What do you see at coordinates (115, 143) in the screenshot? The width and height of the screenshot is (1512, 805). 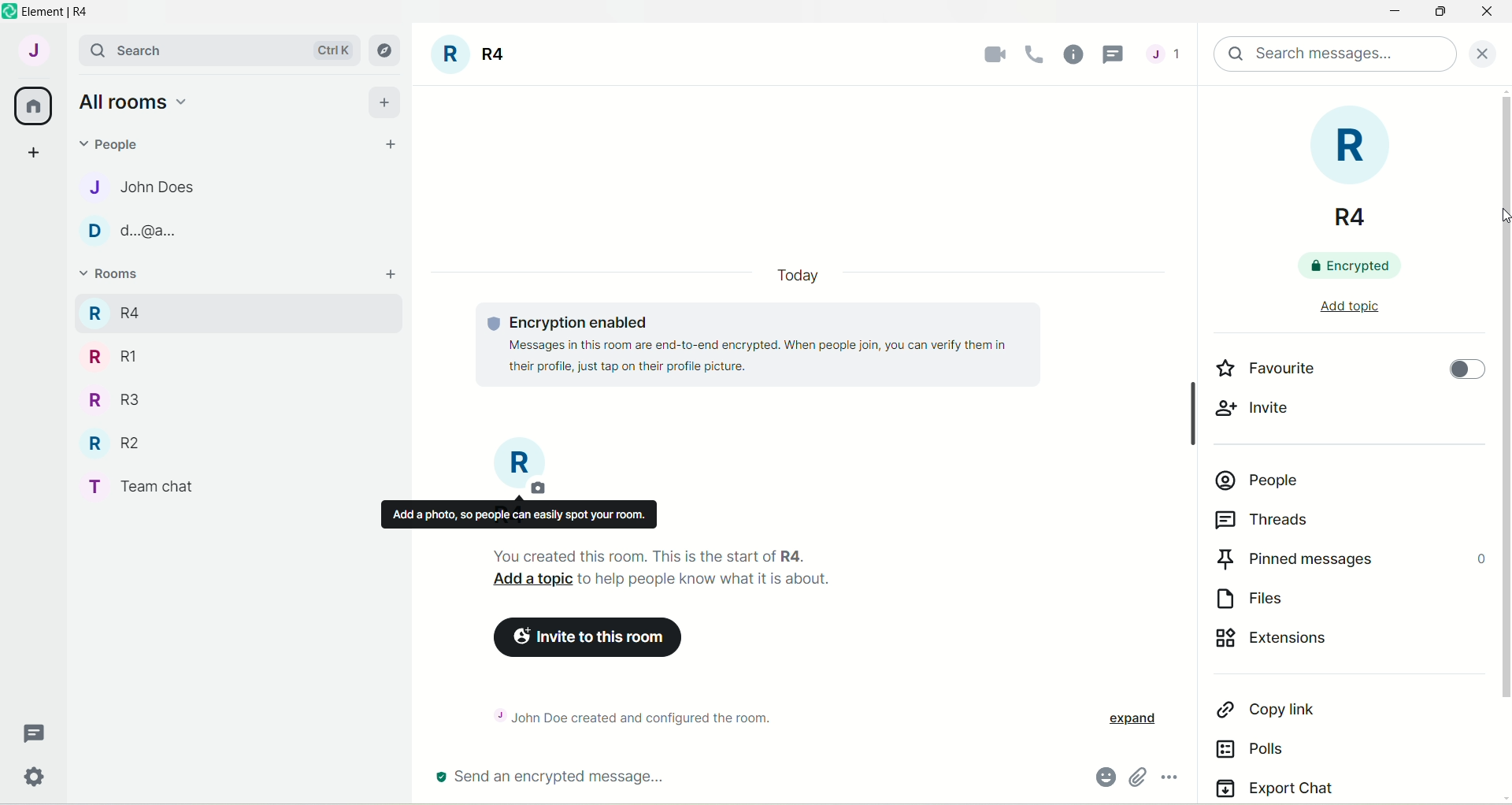 I see `people` at bounding box center [115, 143].